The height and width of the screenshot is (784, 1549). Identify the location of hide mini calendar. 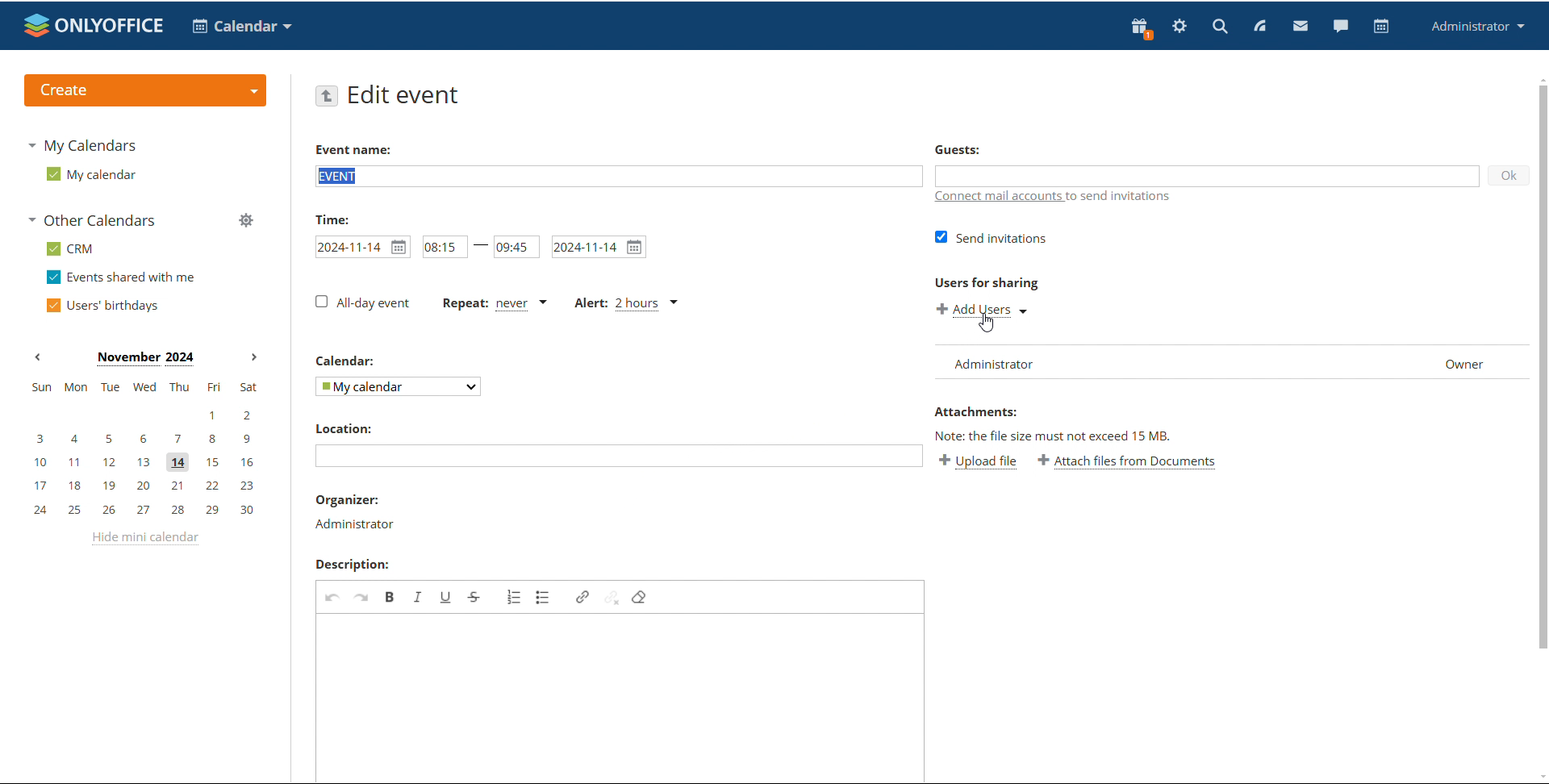
(148, 541).